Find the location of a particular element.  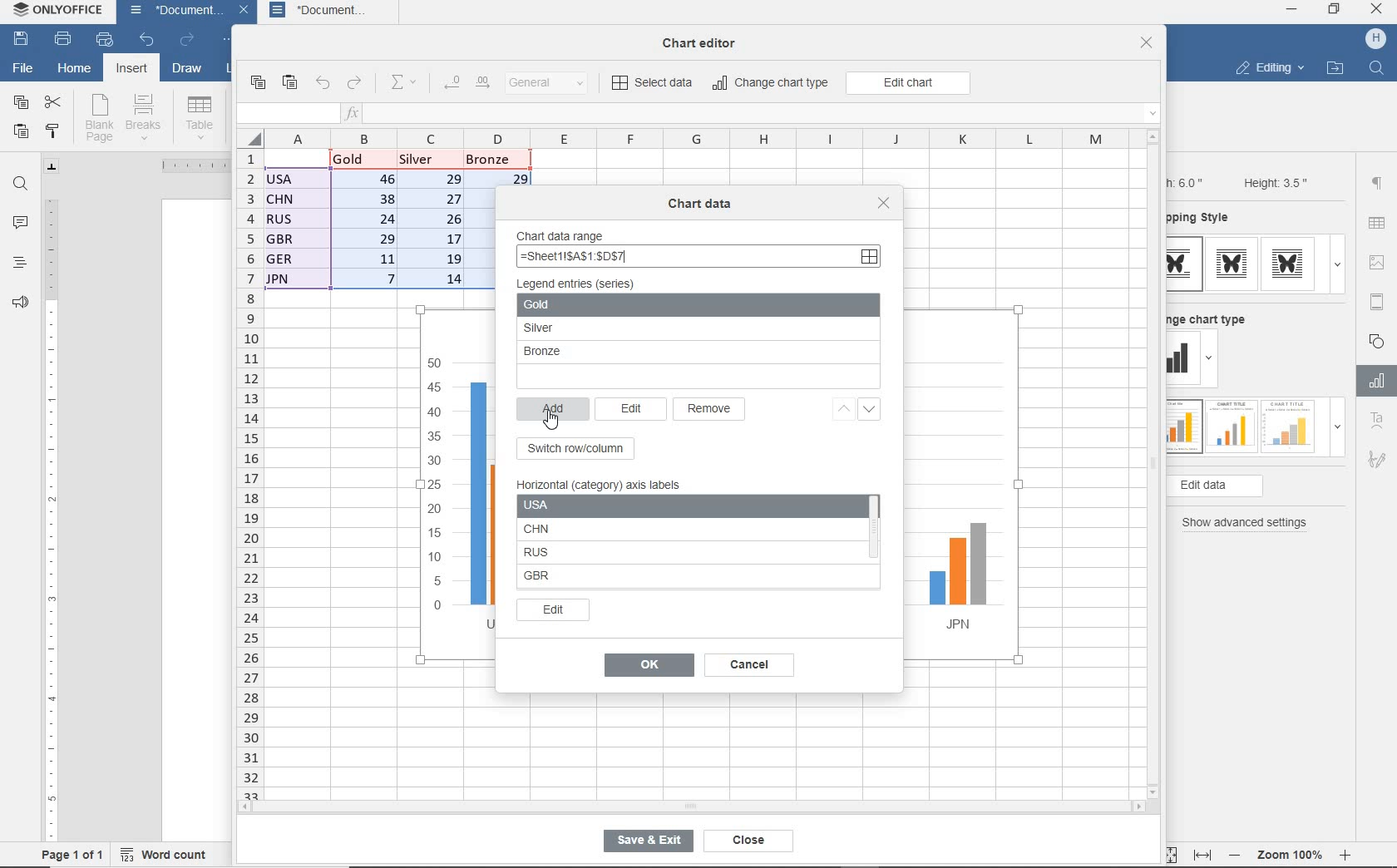

input field is located at coordinates (286, 114).